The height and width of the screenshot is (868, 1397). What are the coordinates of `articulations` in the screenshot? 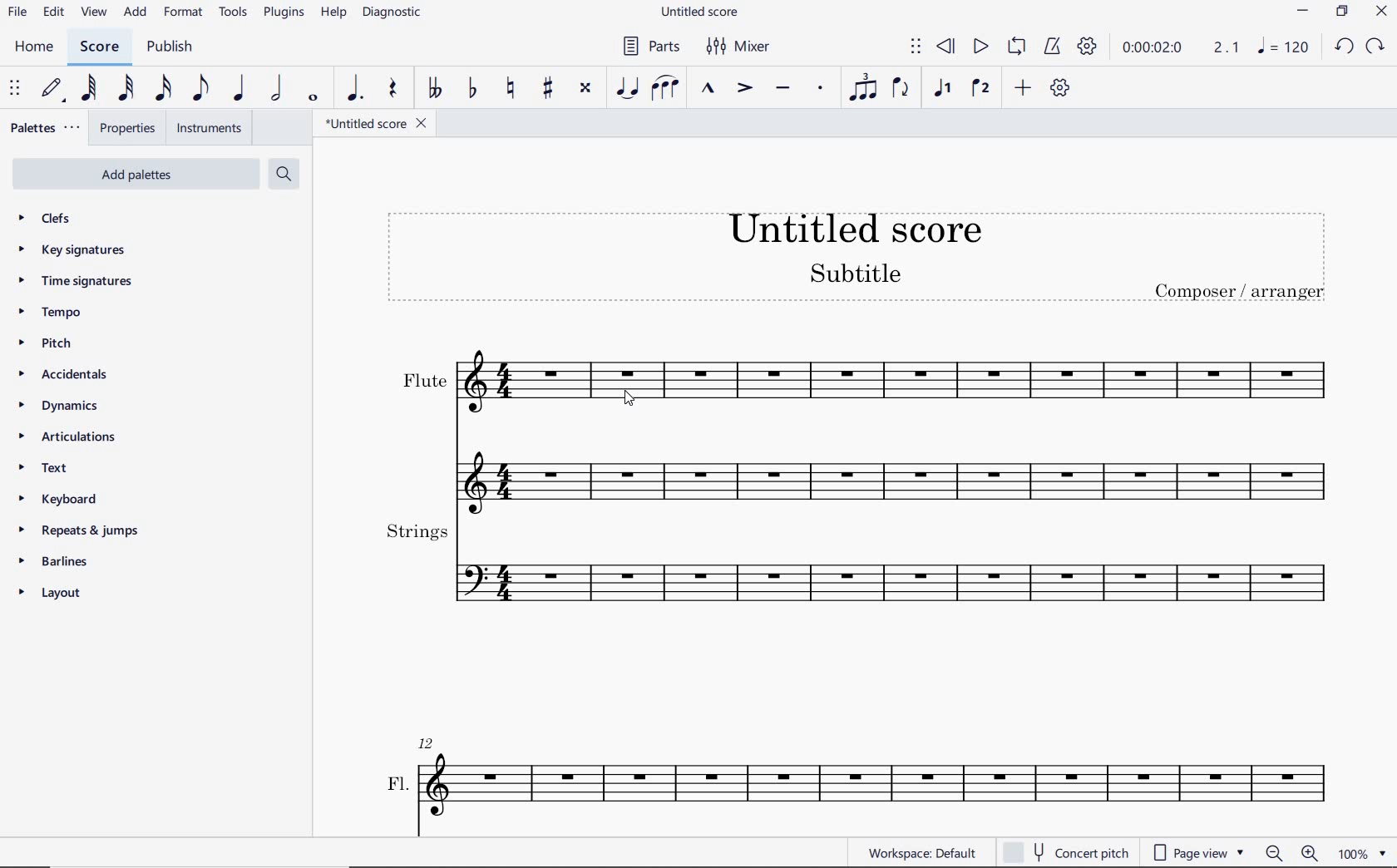 It's located at (70, 438).